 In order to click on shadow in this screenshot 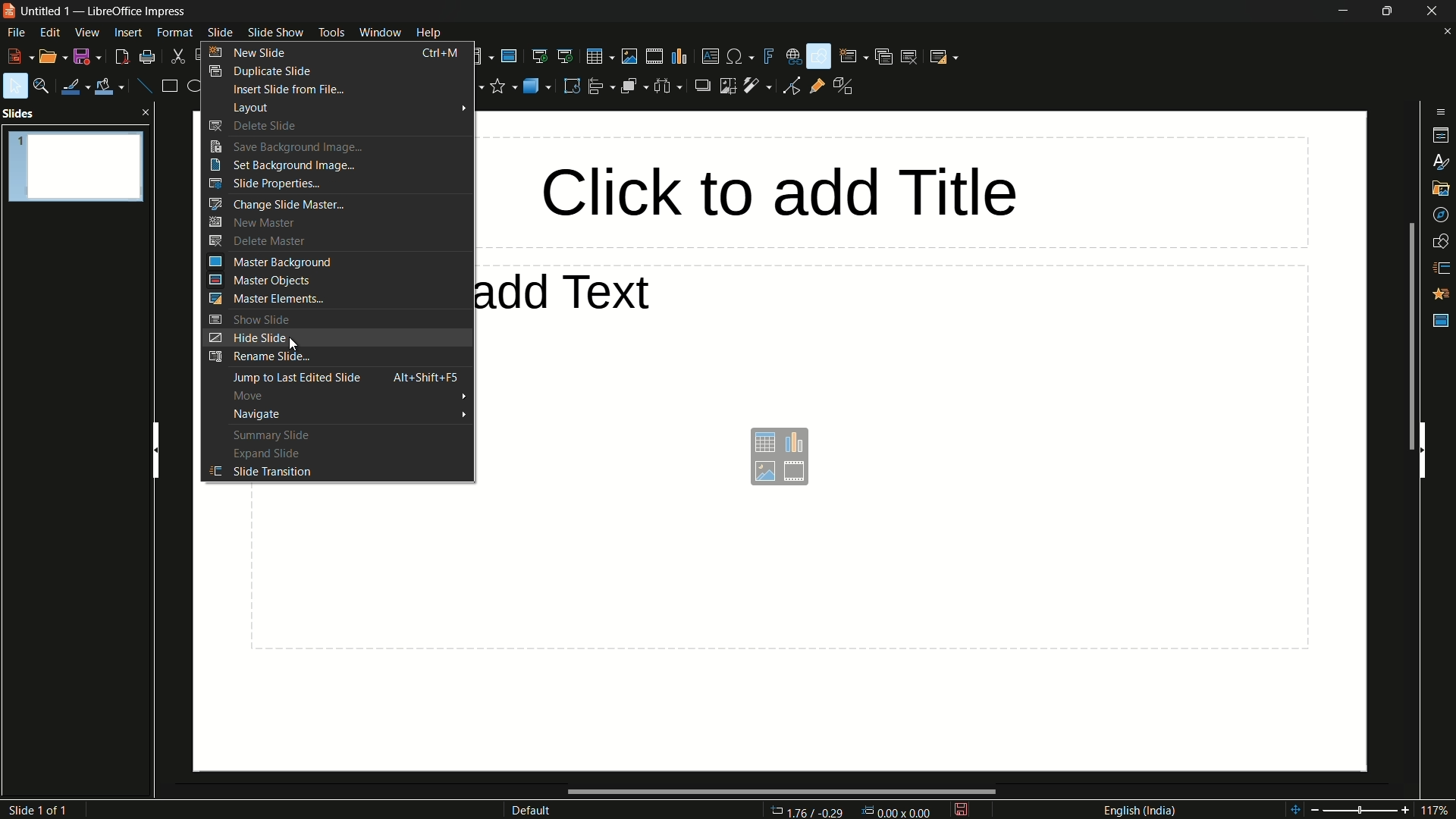, I will do `click(702, 87)`.